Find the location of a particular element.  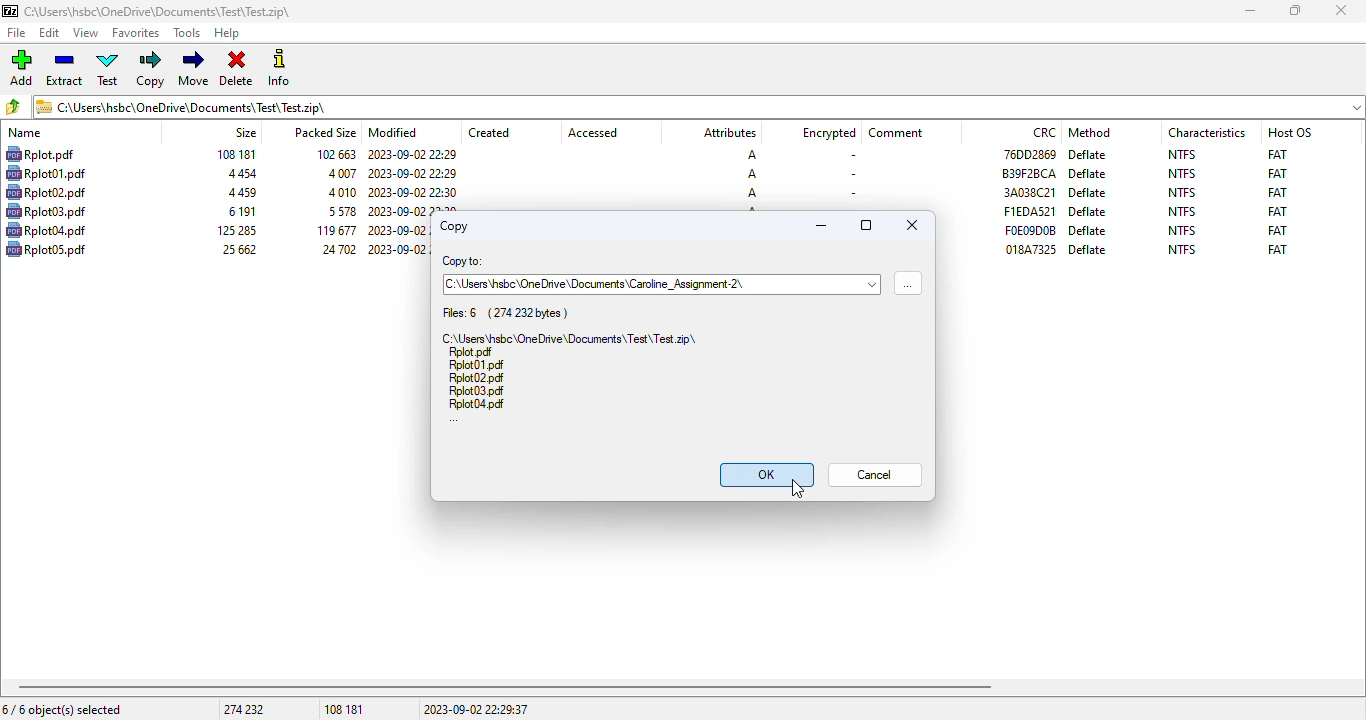

FAT is located at coordinates (1277, 192).